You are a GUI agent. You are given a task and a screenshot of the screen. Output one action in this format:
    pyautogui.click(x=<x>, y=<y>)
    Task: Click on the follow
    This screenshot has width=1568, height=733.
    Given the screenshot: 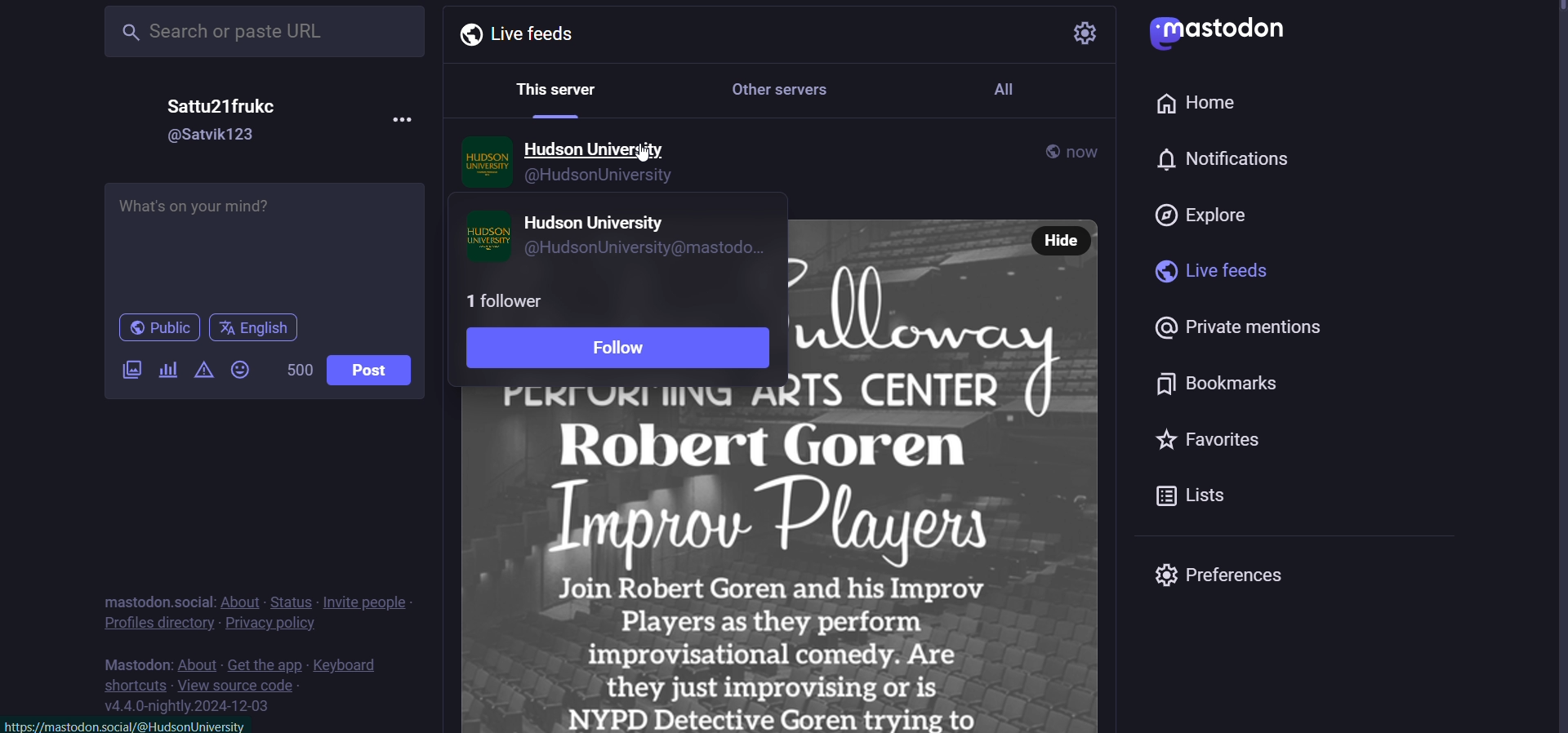 What is the action you would take?
    pyautogui.click(x=622, y=351)
    